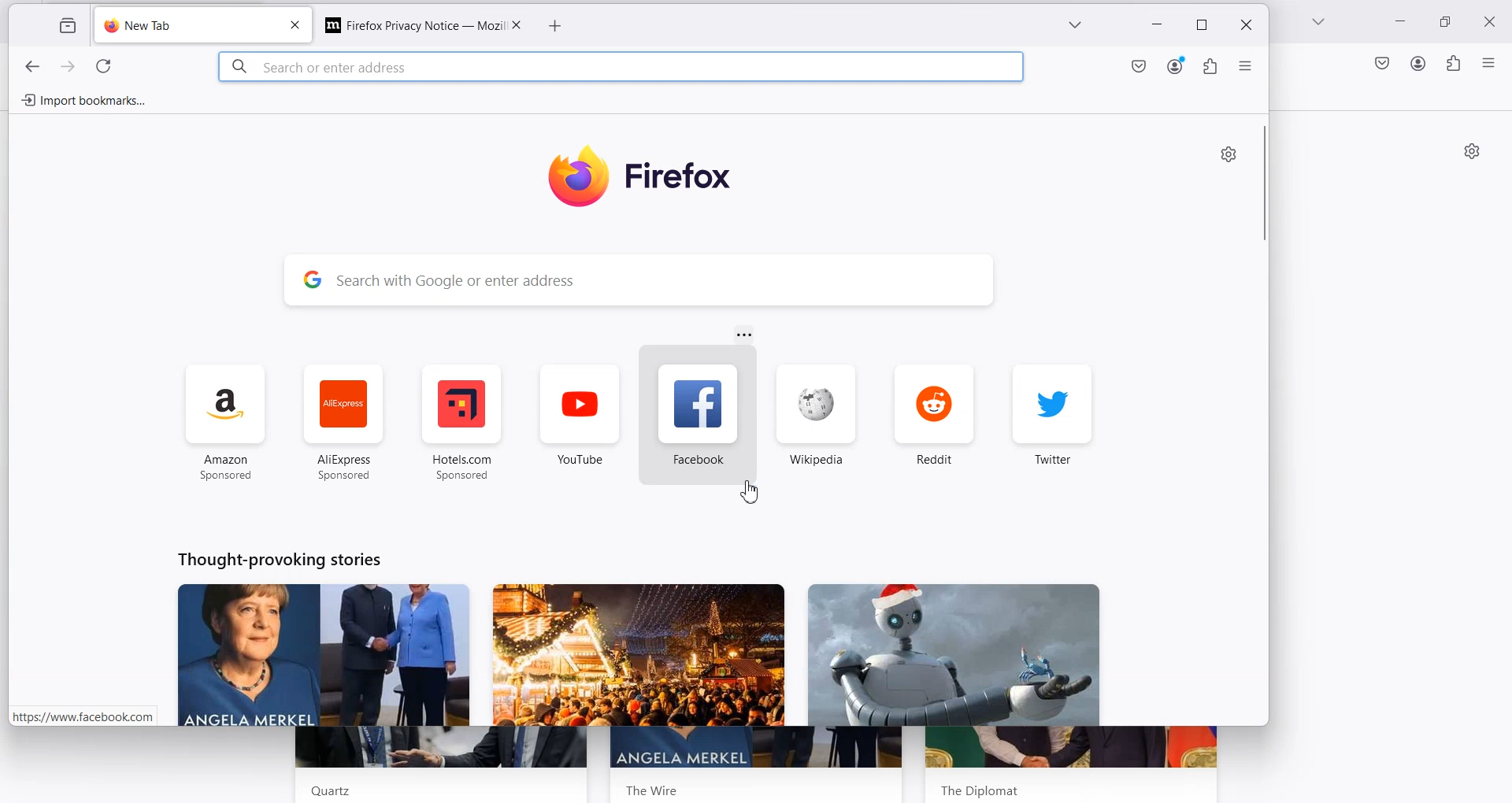 Image resolution: width=1512 pixels, height=803 pixels. I want to click on google logo, so click(309, 279).